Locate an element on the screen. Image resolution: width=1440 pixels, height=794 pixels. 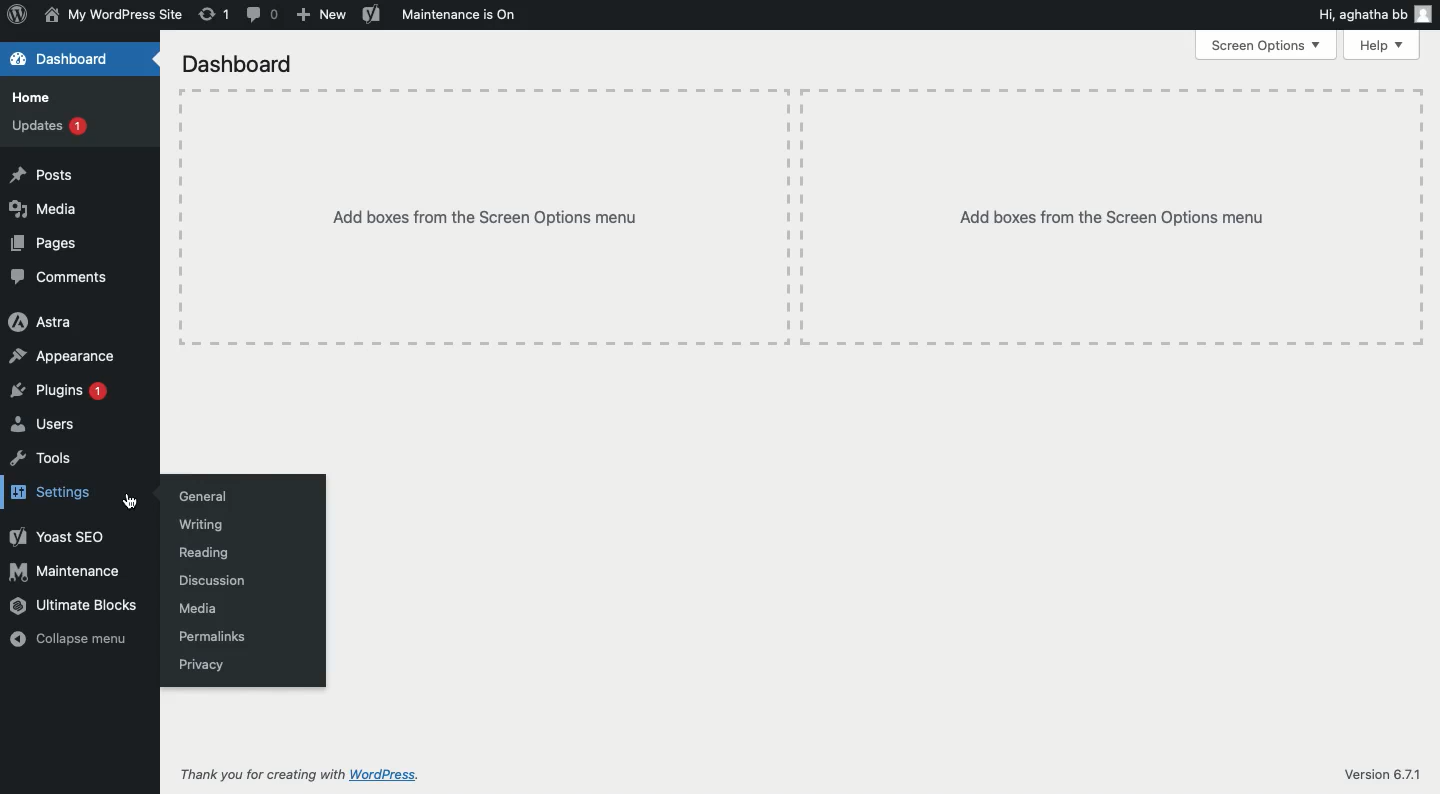
Media is located at coordinates (198, 608).